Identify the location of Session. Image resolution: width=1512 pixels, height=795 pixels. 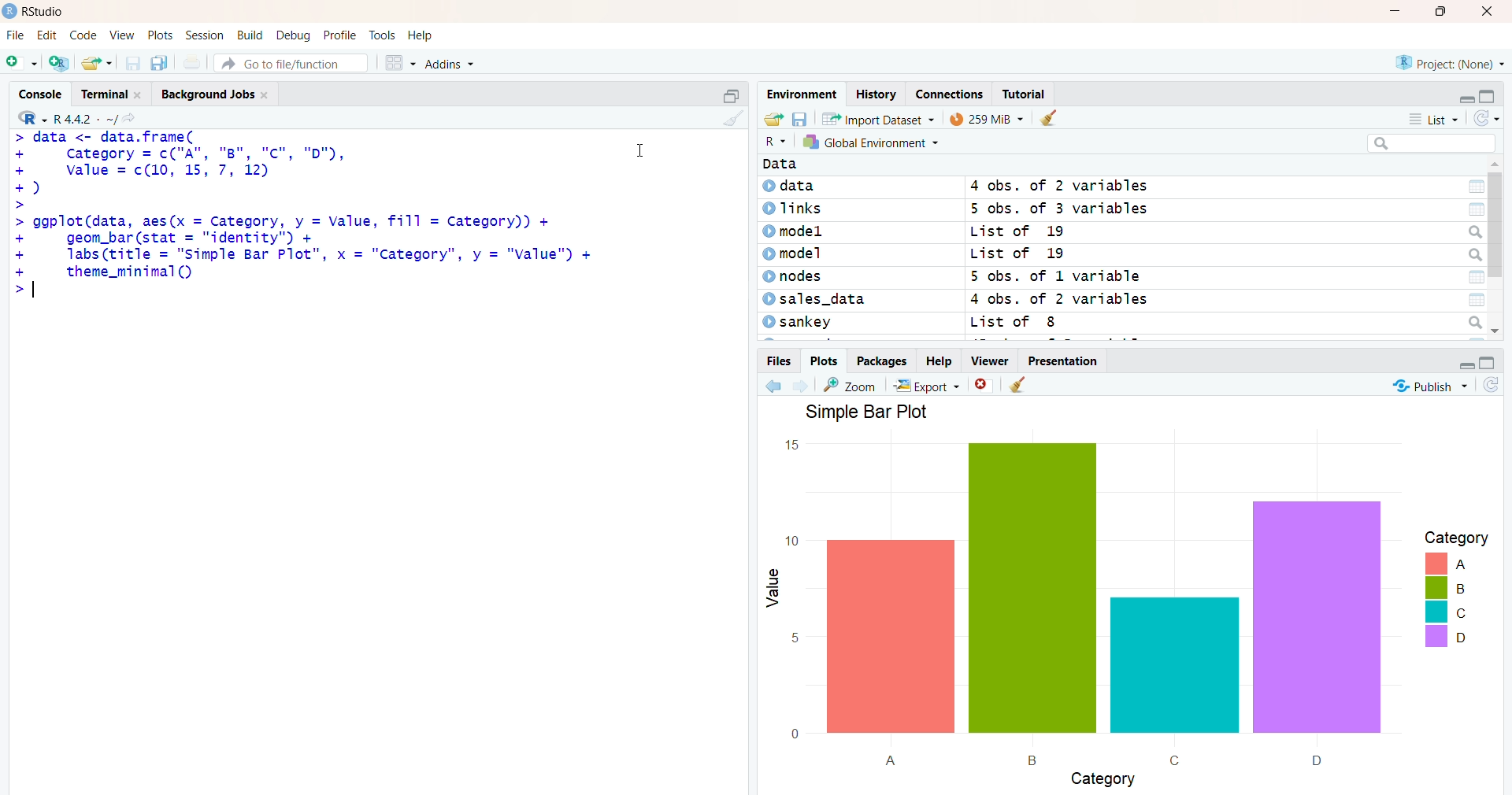
(205, 35).